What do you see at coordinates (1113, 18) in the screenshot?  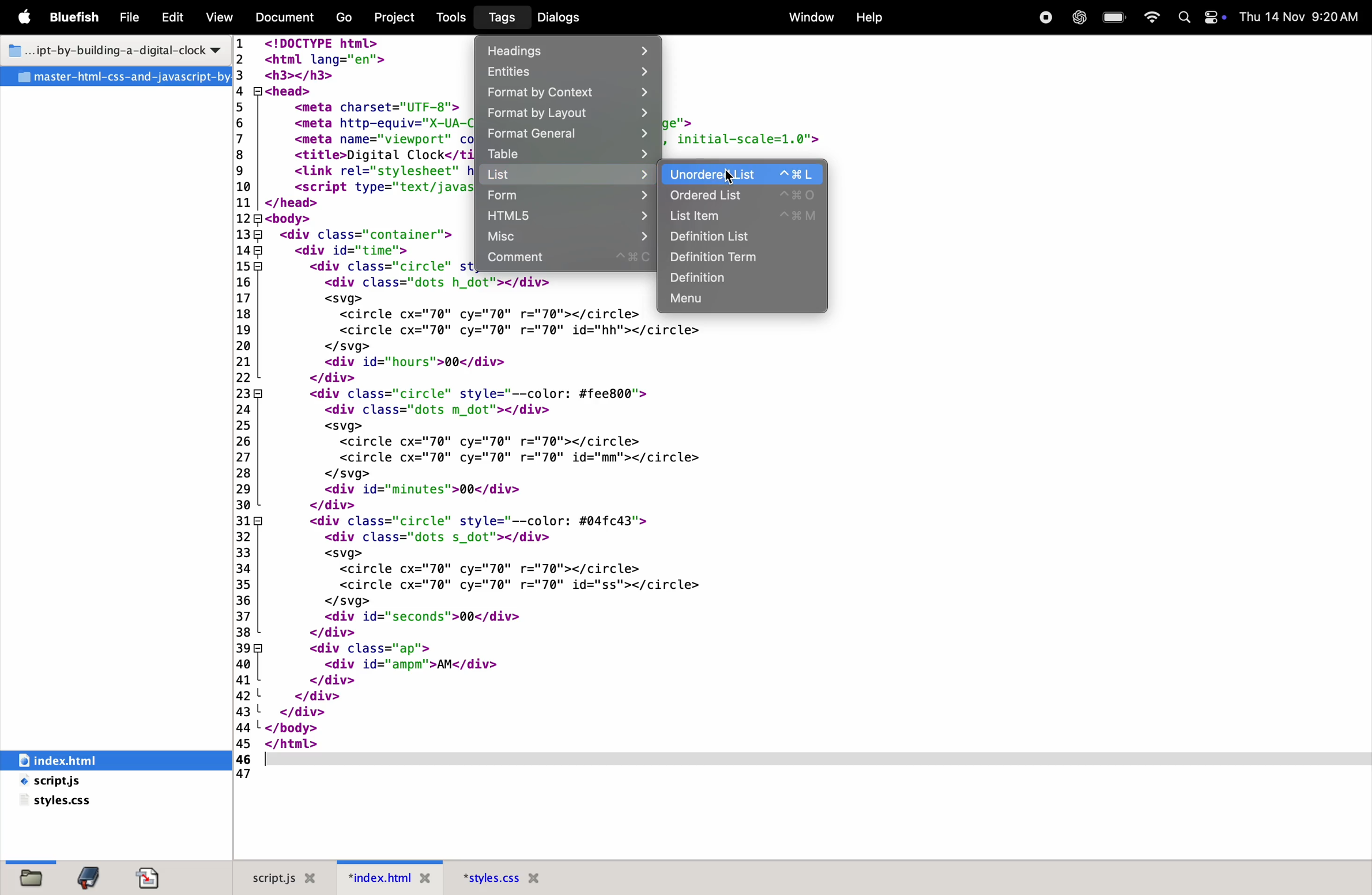 I see `battery` at bounding box center [1113, 18].